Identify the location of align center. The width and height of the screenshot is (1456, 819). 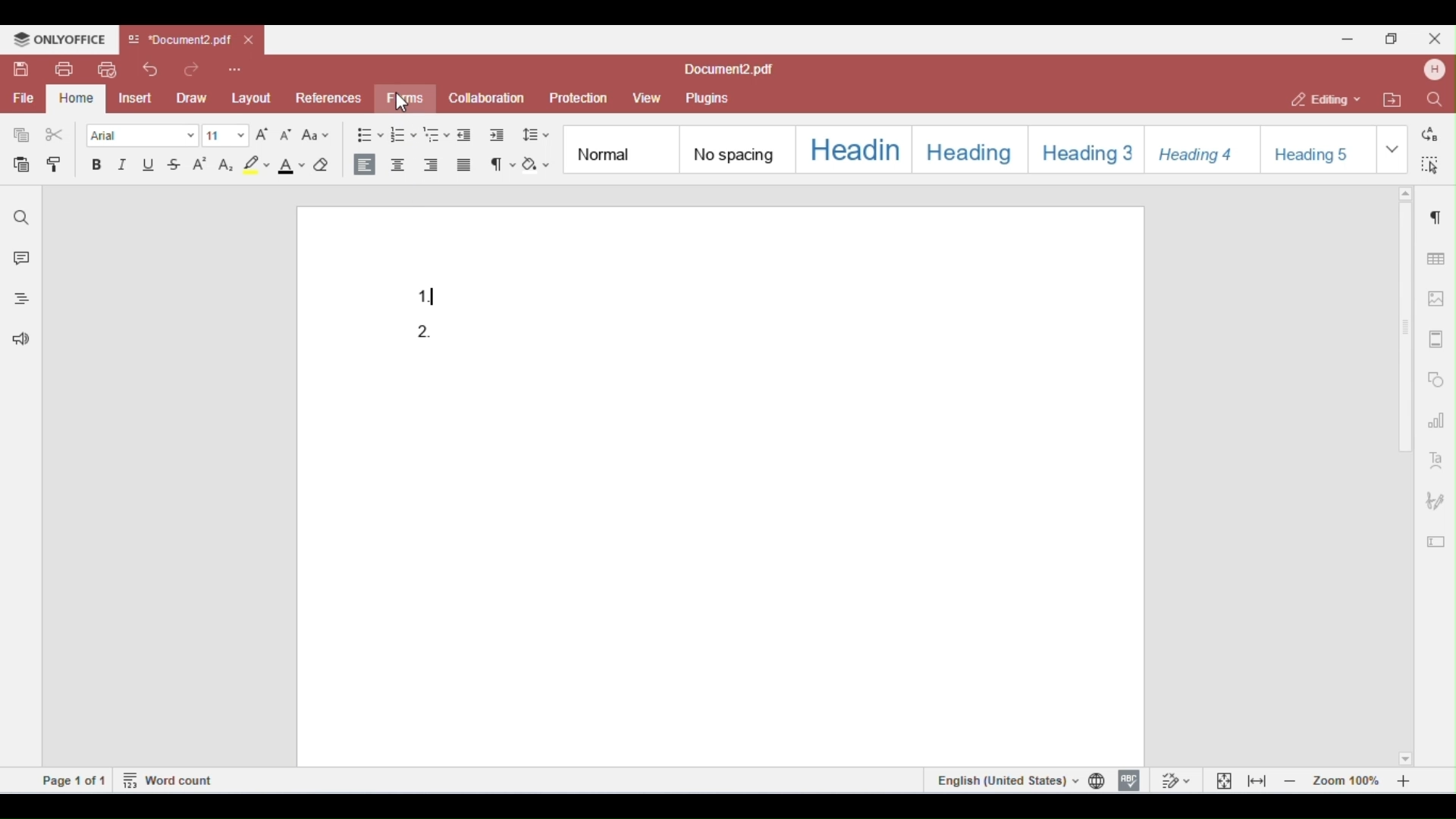
(397, 165).